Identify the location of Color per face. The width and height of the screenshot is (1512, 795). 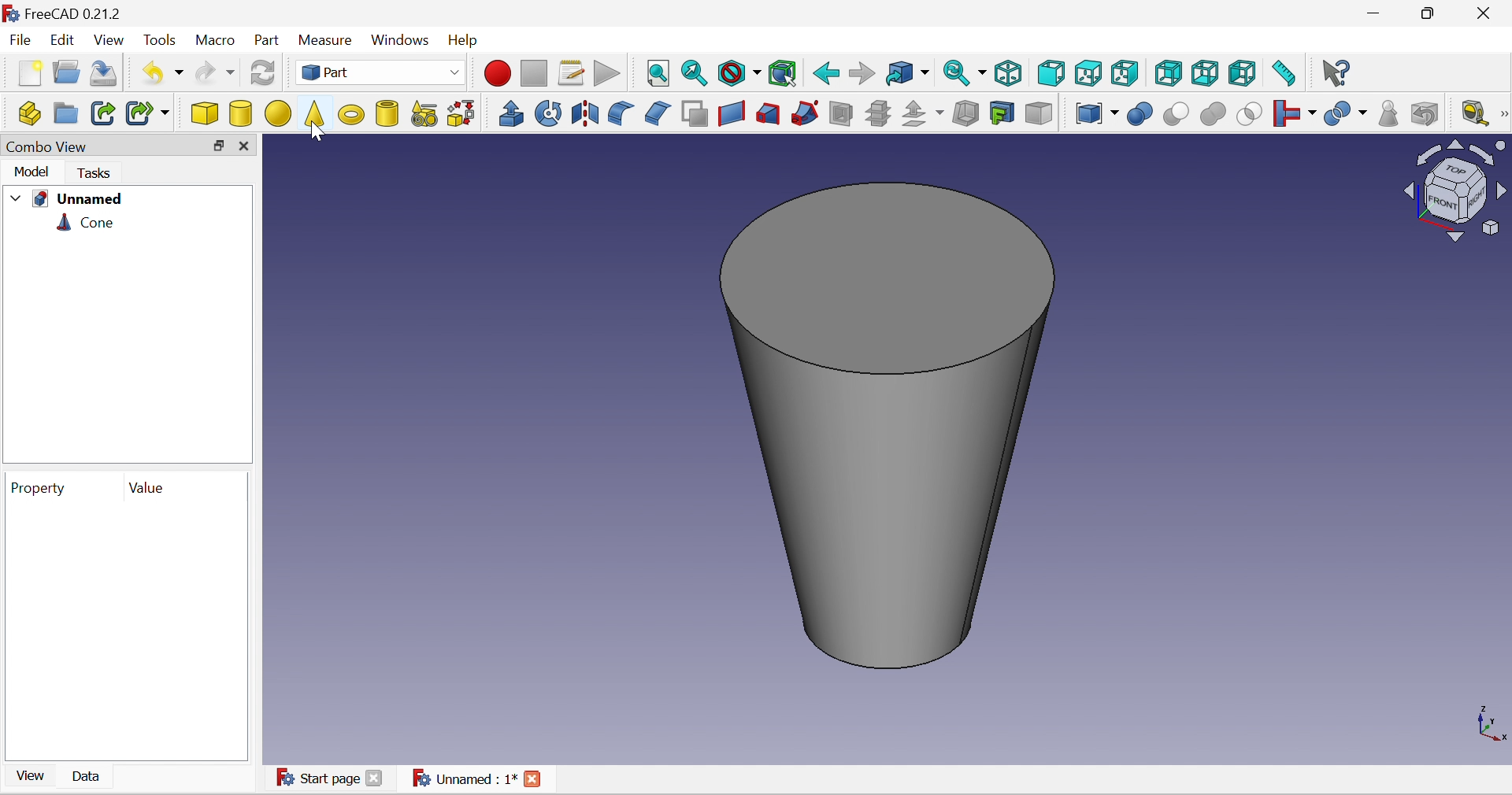
(1039, 115).